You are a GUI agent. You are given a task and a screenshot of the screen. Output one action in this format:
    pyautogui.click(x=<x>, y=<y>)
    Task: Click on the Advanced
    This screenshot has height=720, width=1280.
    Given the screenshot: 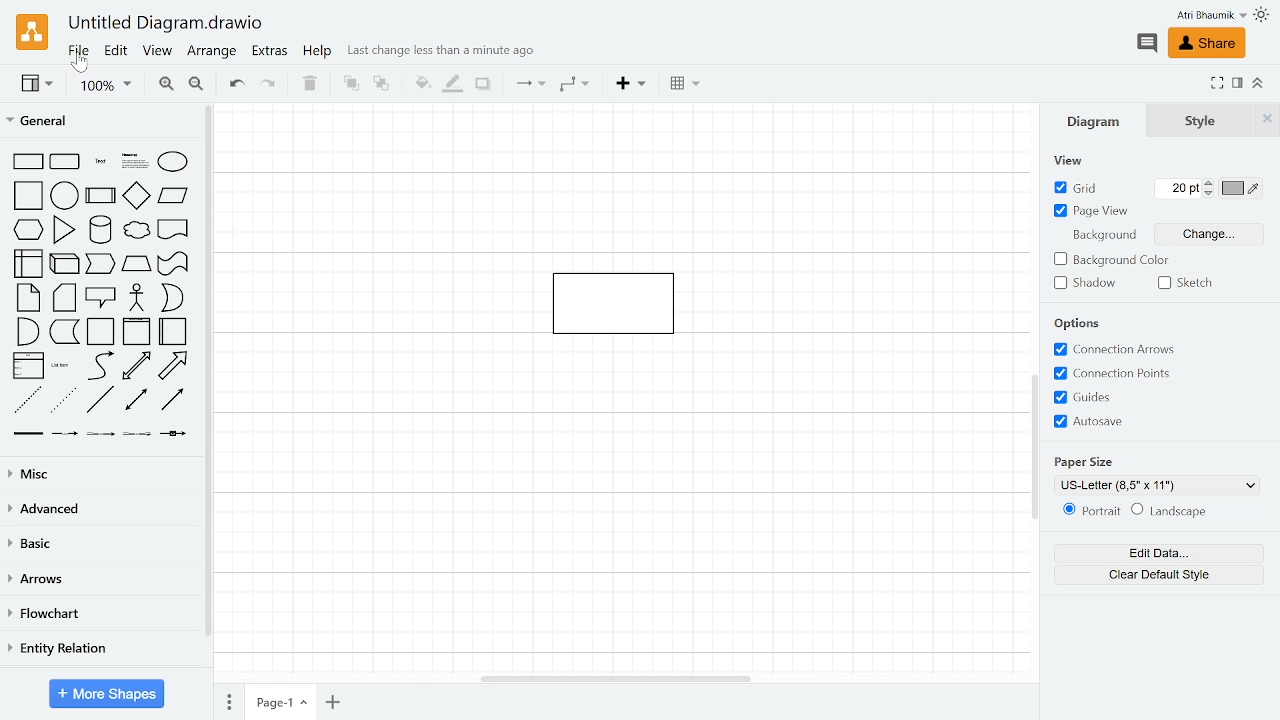 What is the action you would take?
    pyautogui.click(x=101, y=509)
    